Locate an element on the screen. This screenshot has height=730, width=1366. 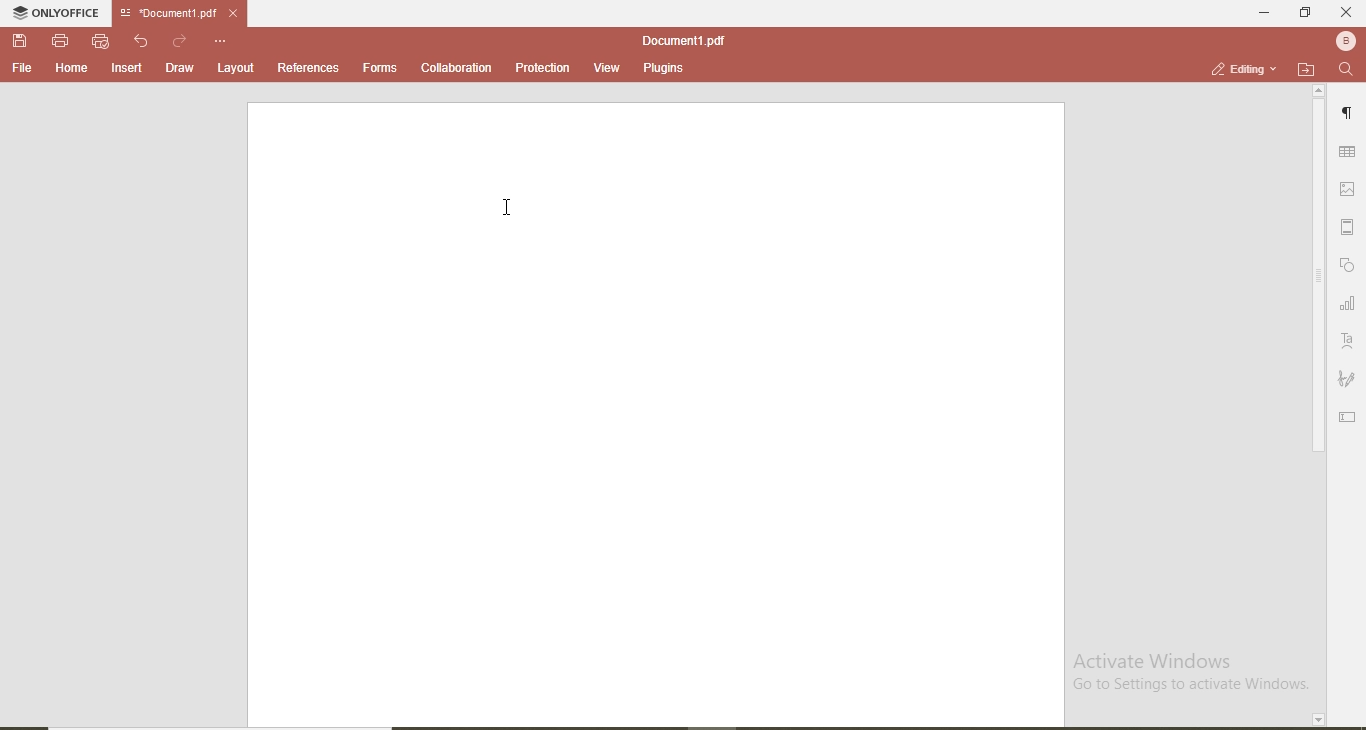
chart is located at coordinates (1349, 304).